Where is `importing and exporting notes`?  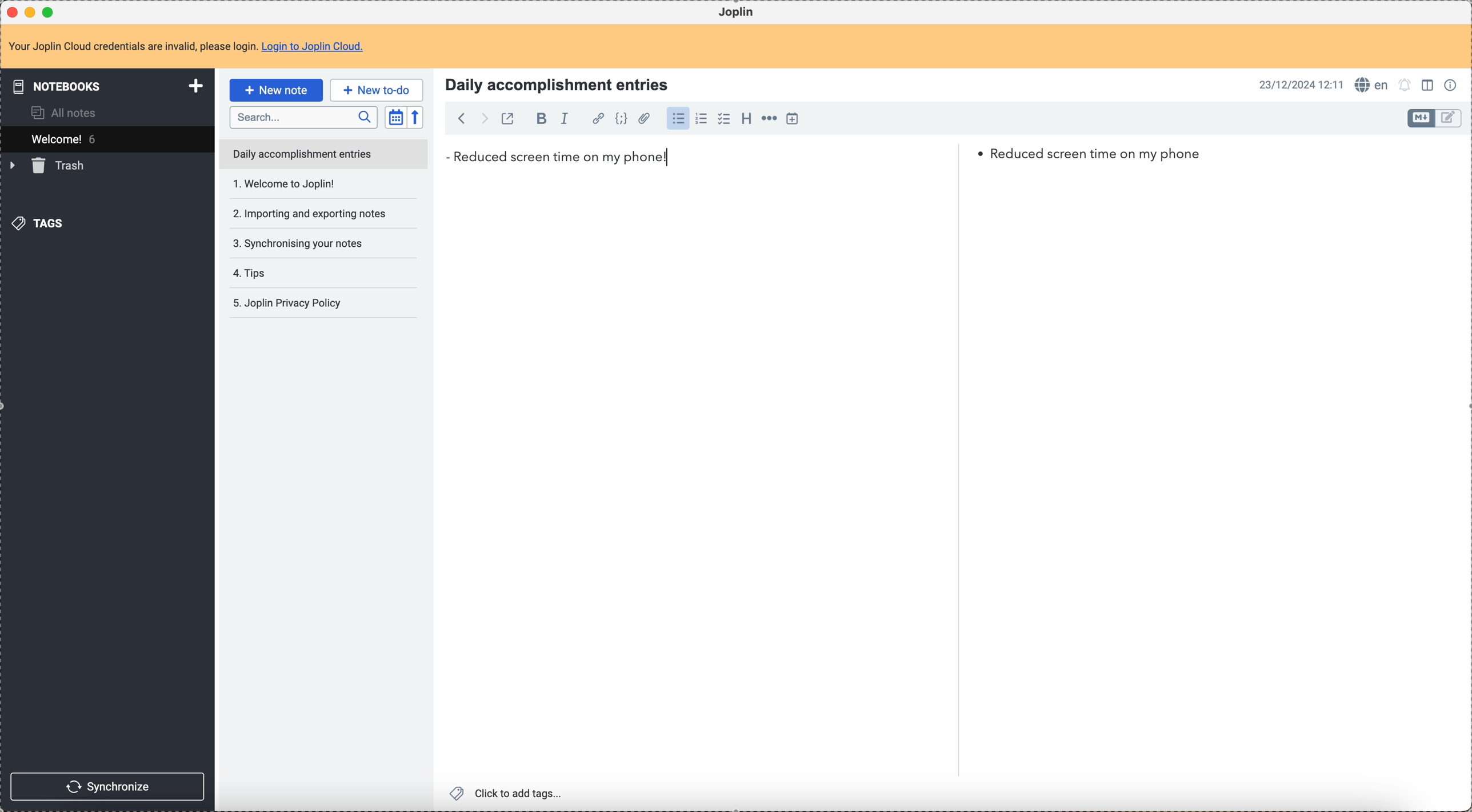
importing and exporting notes is located at coordinates (309, 183).